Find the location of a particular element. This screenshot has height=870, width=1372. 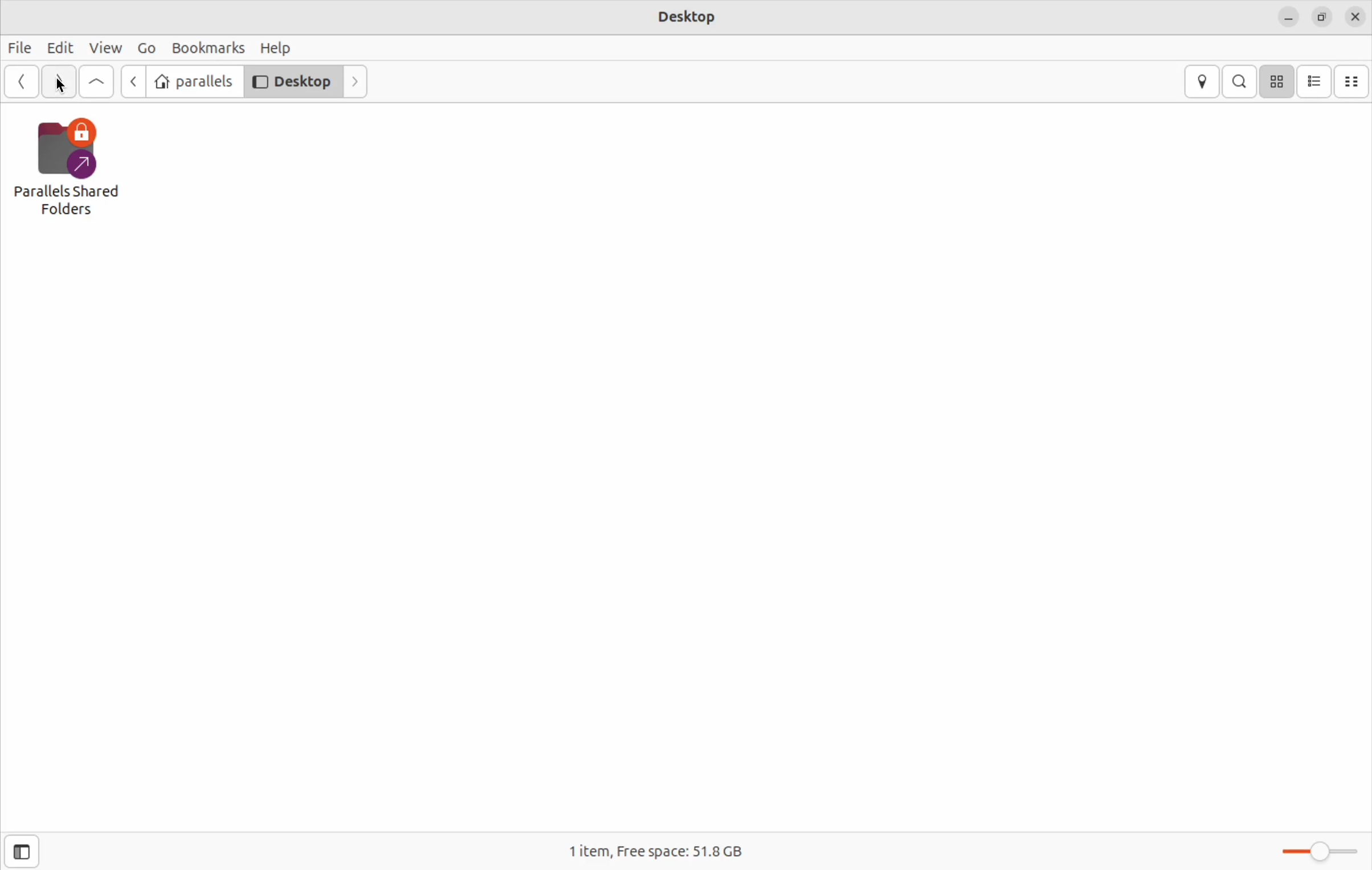

parallels is located at coordinates (193, 81).